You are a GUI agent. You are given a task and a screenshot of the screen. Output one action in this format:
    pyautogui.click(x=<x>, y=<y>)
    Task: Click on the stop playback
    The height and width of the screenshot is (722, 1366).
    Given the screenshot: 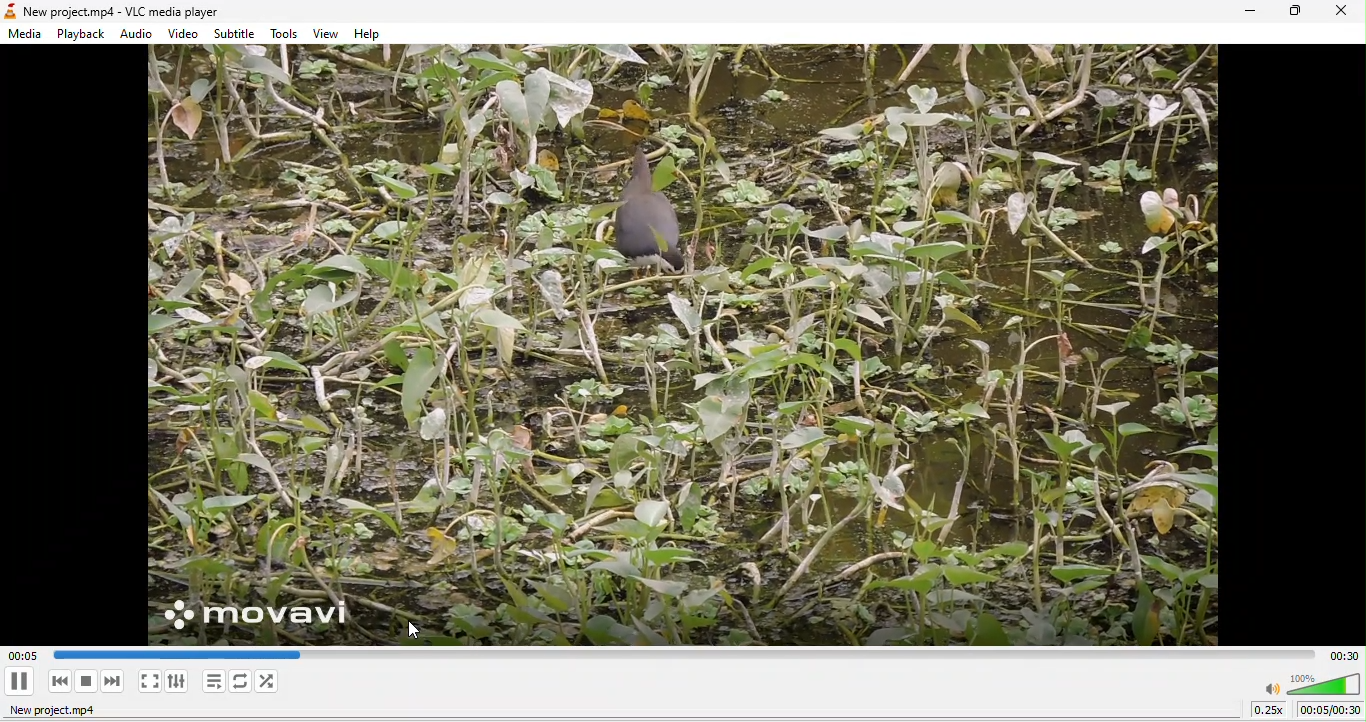 What is the action you would take?
    pyautogui.click(x=85, y=681)
    